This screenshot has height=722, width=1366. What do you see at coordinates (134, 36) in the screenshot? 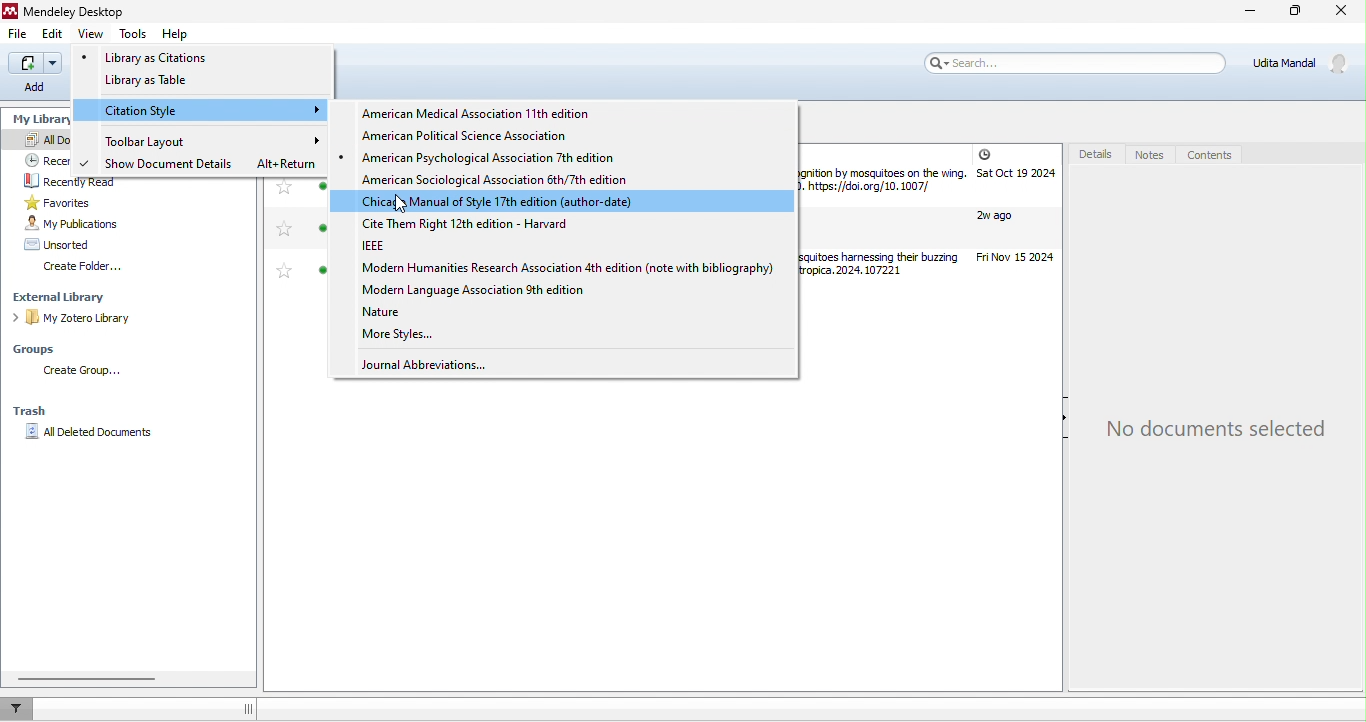
I see `tools` at bounding box center [134, 36].